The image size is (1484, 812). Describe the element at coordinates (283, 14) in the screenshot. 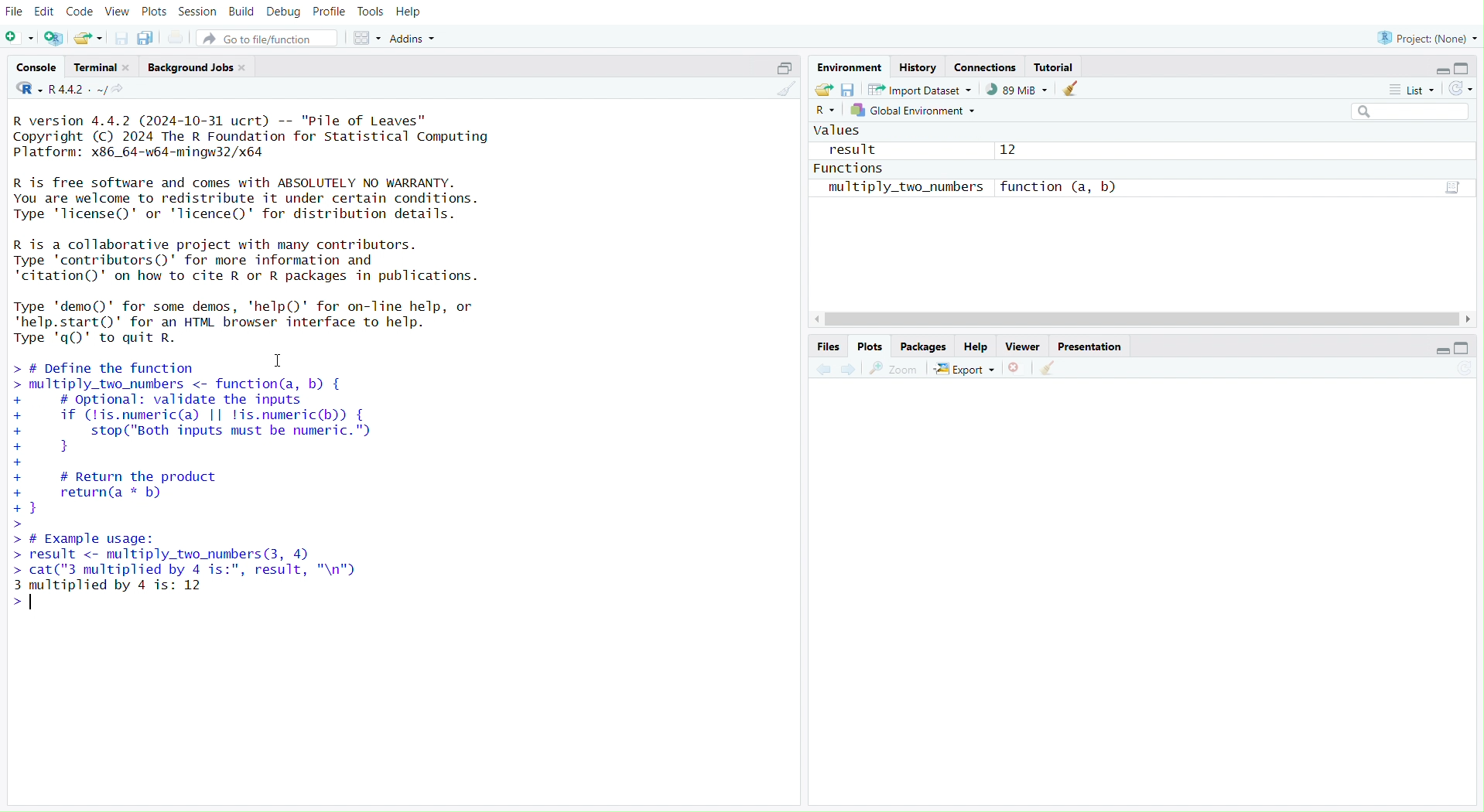

I see `Debug` at that location.